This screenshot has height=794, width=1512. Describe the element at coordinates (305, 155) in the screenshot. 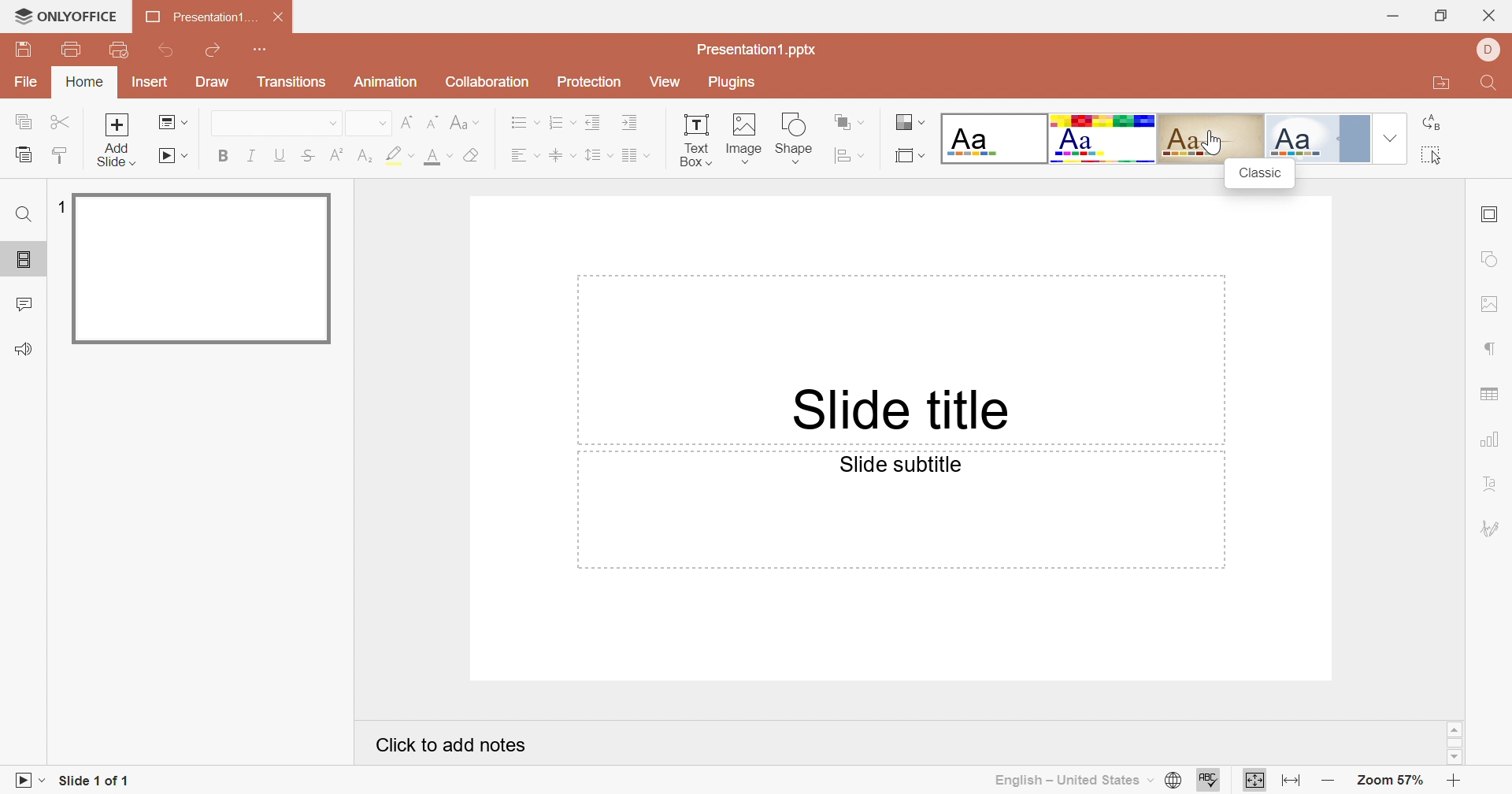

I see `Strikethrough` at that location.